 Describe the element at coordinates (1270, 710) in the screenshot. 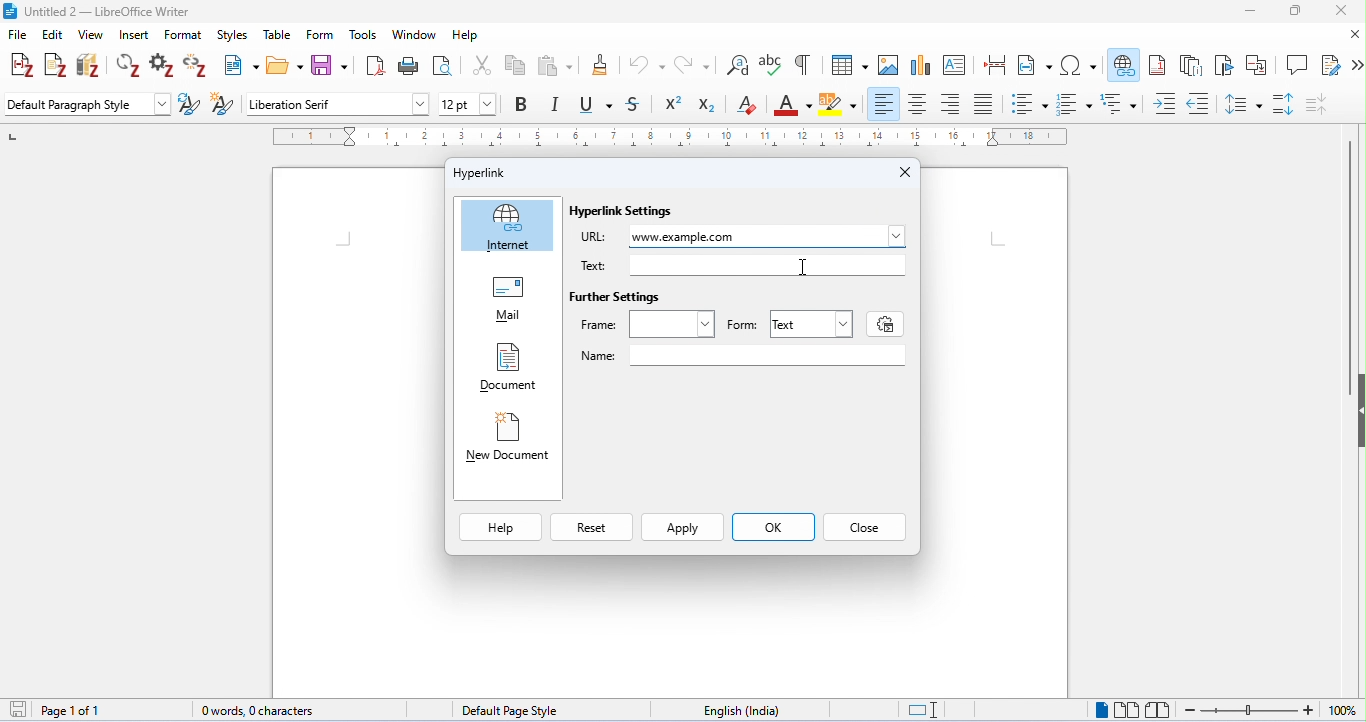

I see `zoom` at that location.